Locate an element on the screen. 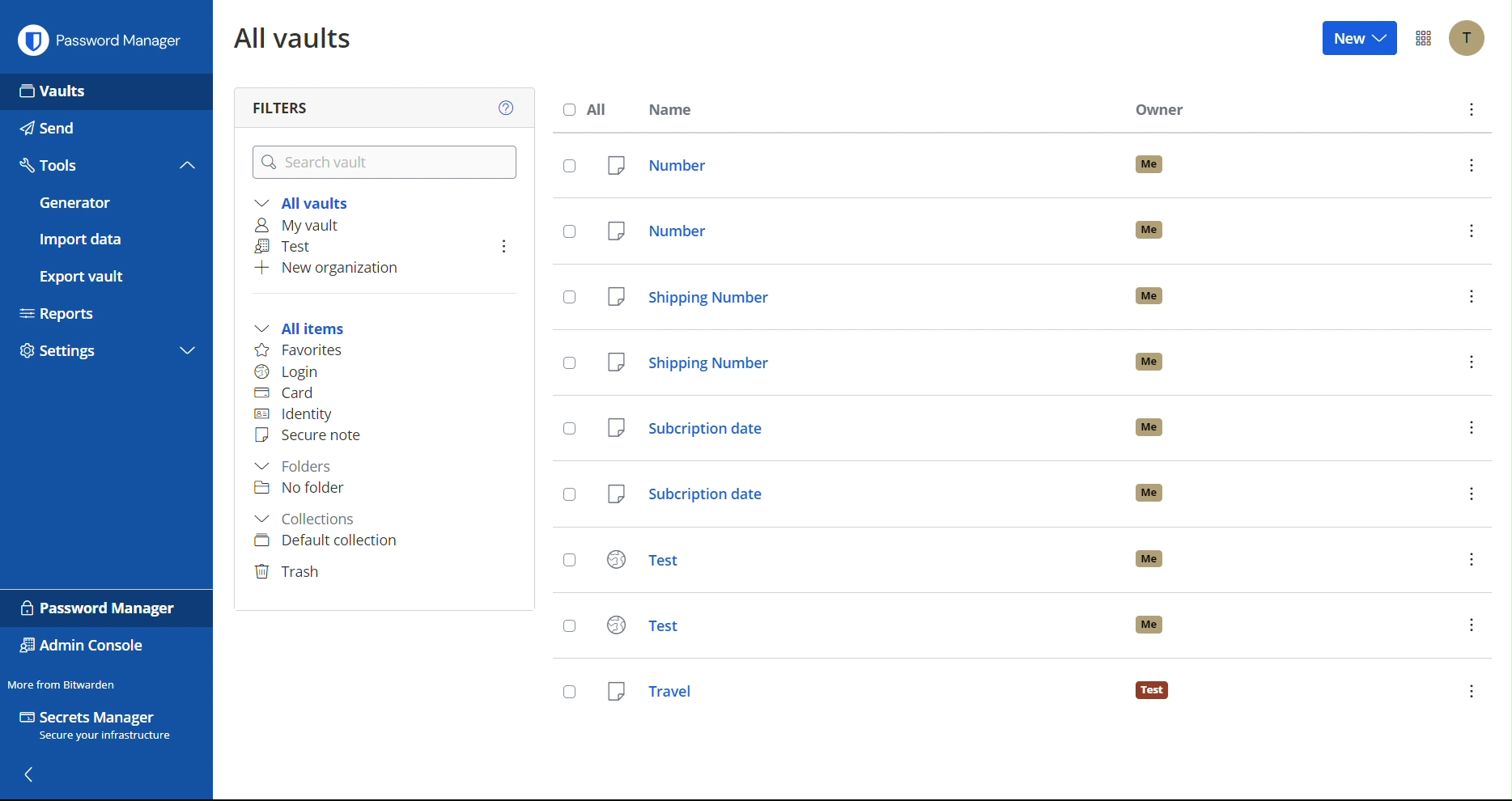 This screenshot has height=801, width=1512. expand settings is located at coordinates (188, 353).